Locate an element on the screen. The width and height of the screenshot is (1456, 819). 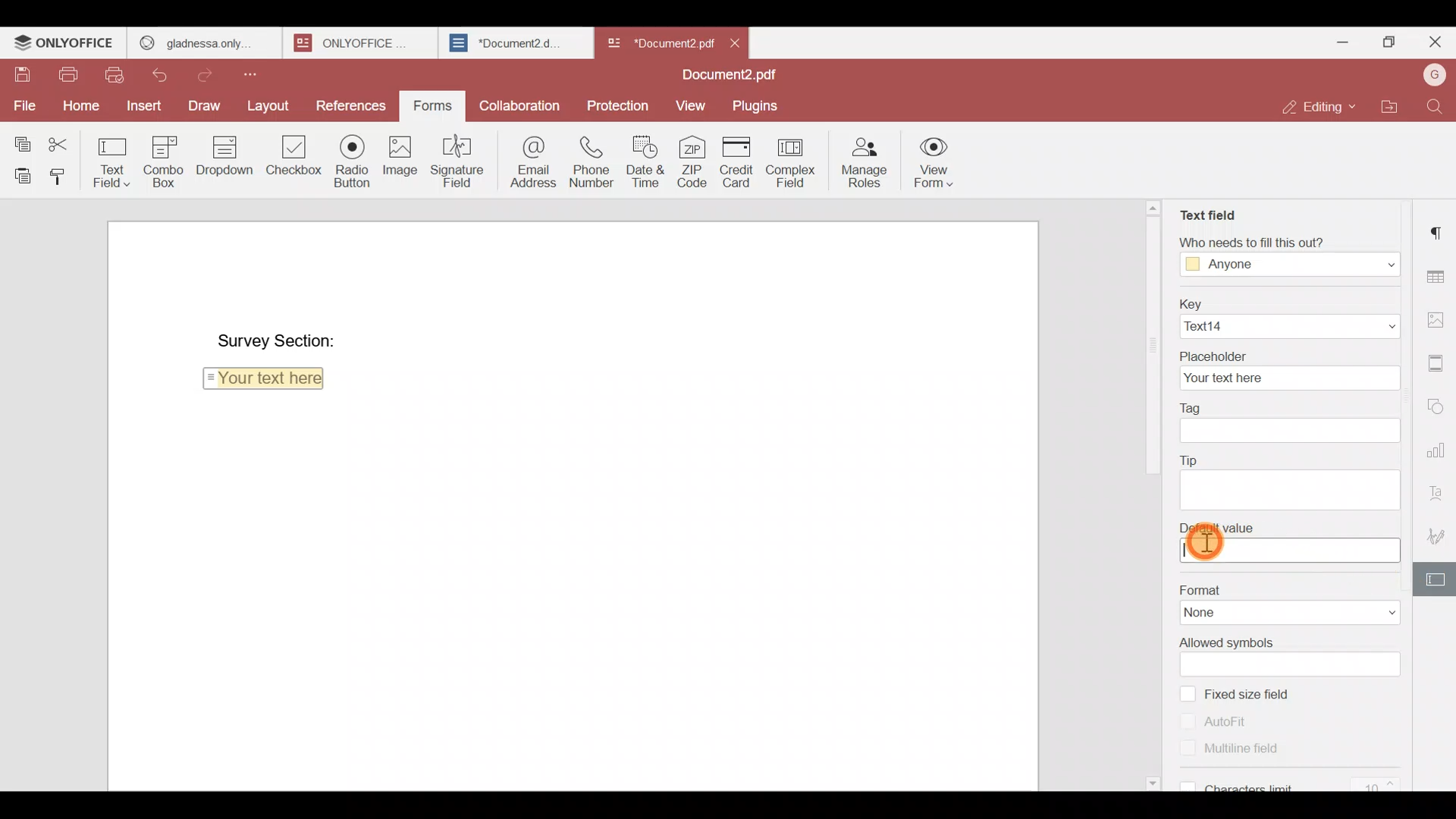
Form settings is located at coordinates (1437, 580).